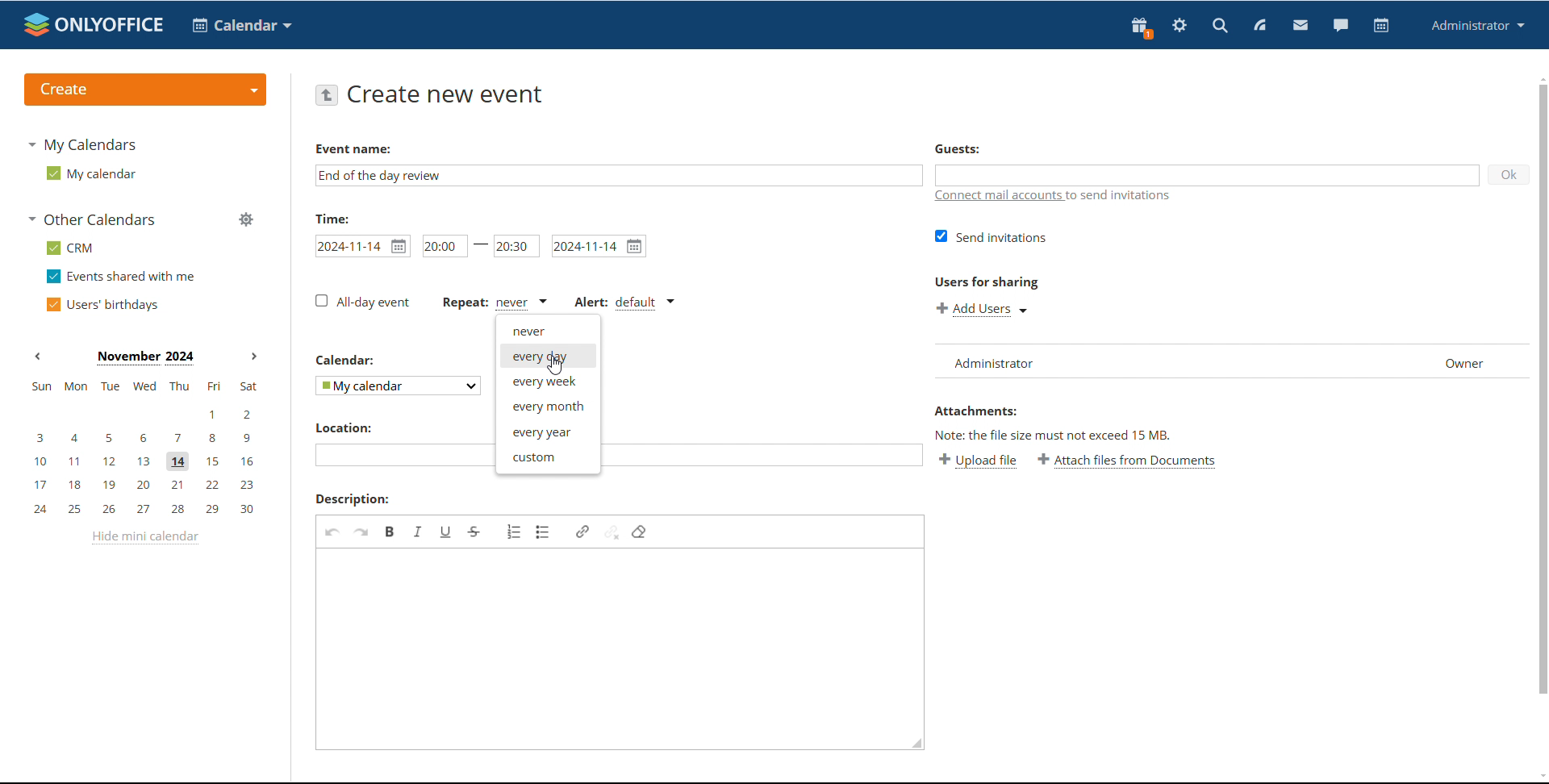 Image resolution: width=1549 pixels, height=784 pixels. I want to click on select calendar, so click(399, 385).